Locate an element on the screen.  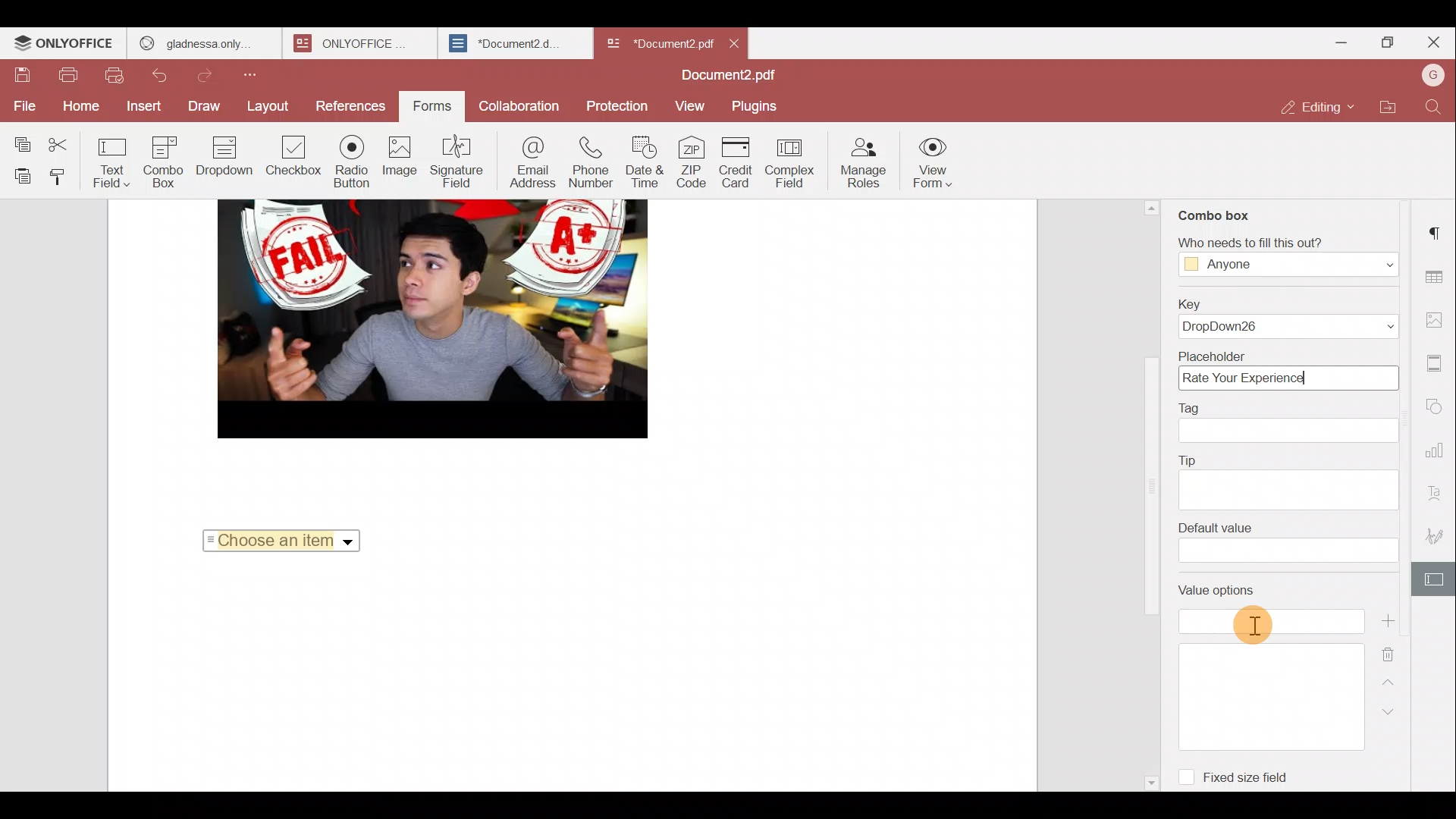
Remove value is located at coordinates (1391, 655).